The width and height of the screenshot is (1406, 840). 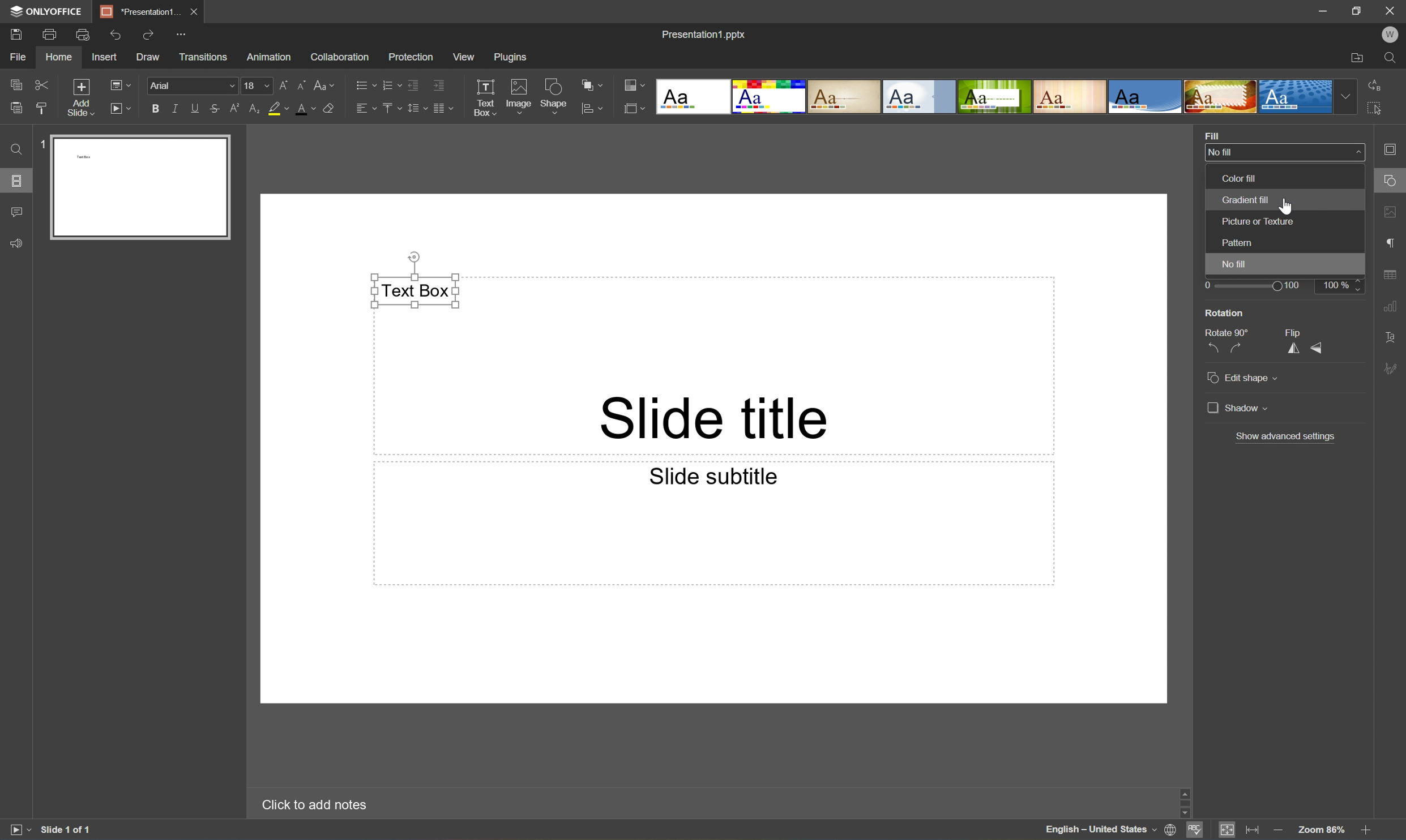 What do you see at coordinates (1366, 812) in the screenshot?
I see `Scroll Down` at bounding box center [1366, 812].